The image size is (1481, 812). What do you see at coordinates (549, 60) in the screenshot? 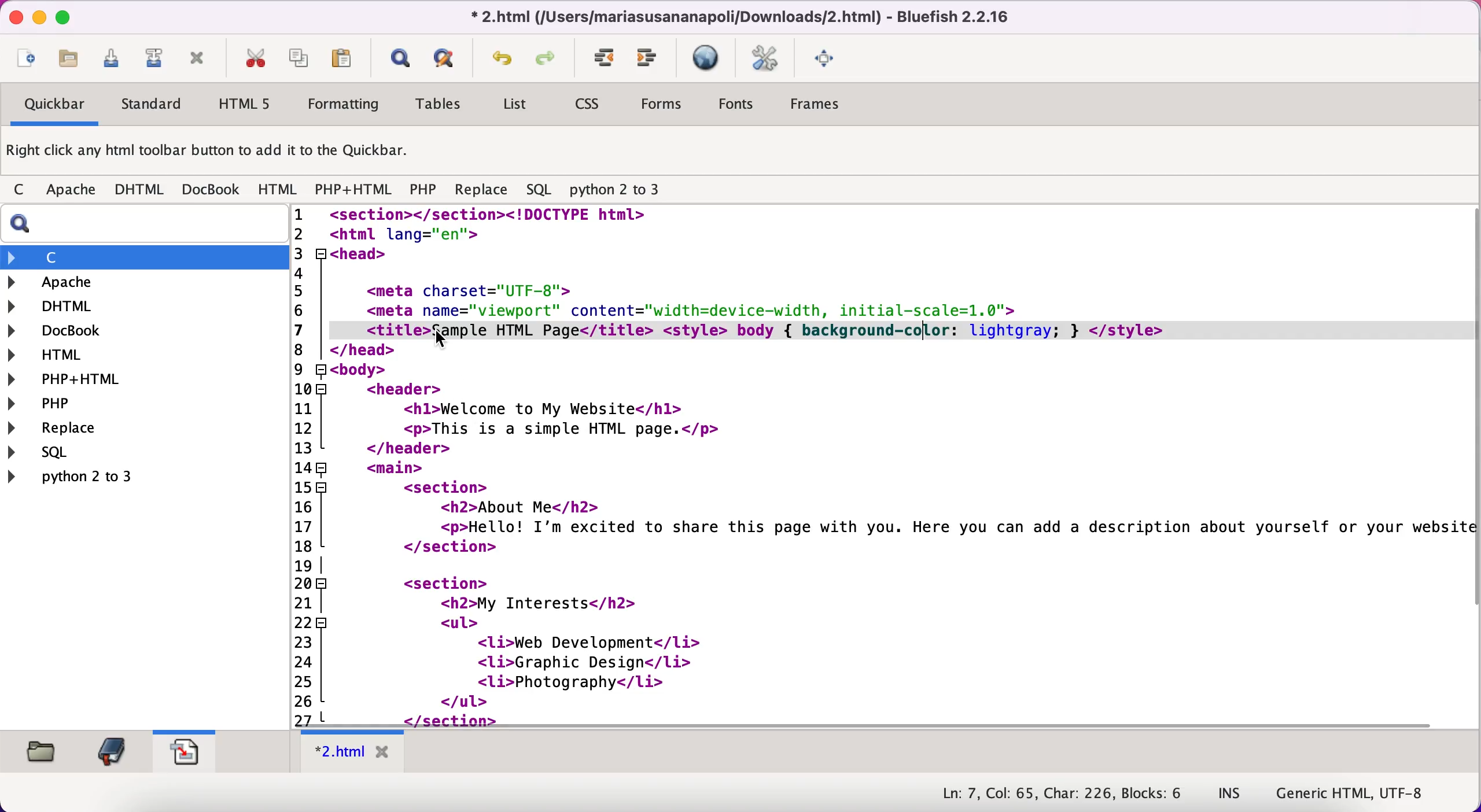
I see `redo` at bounding box center [549, 60].